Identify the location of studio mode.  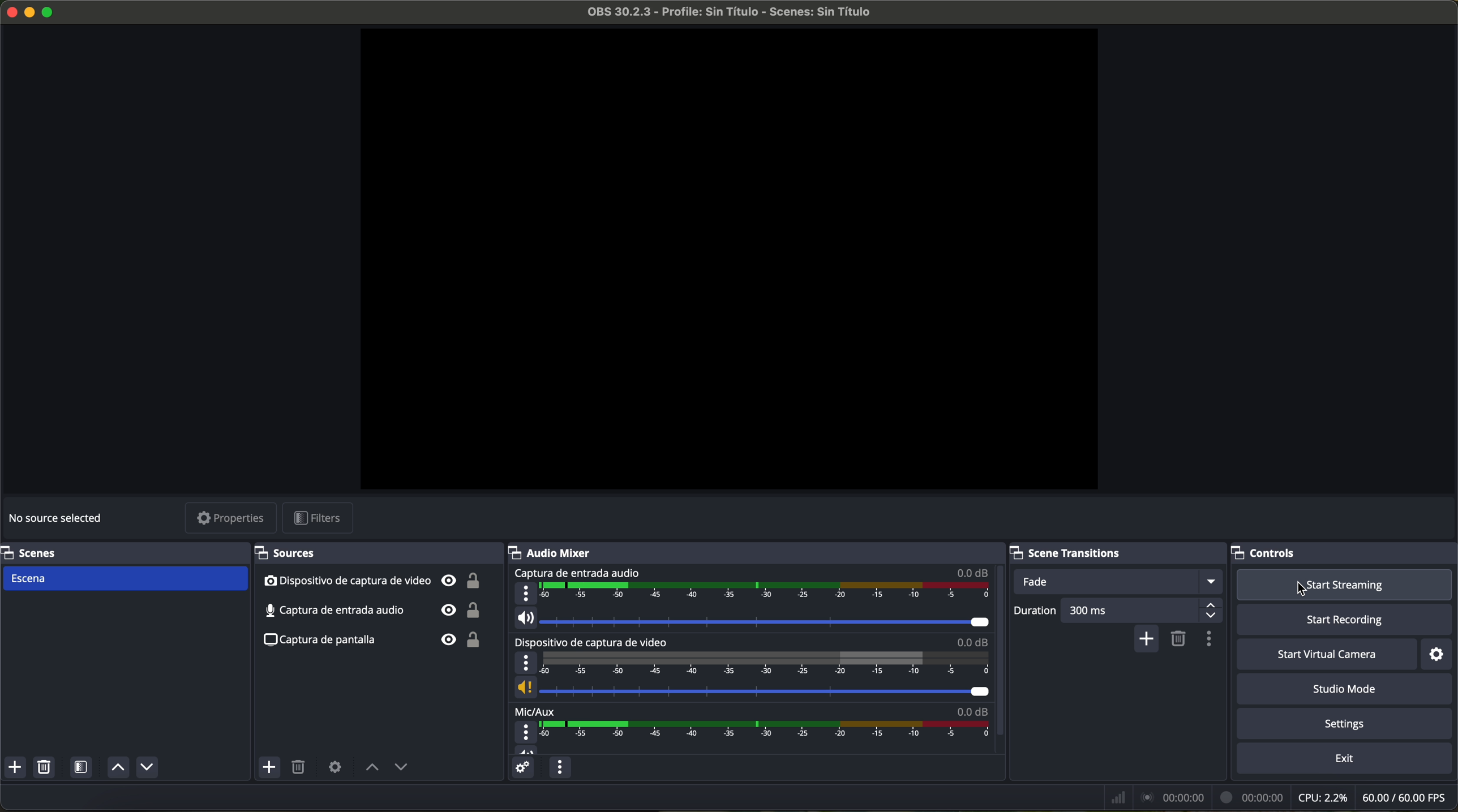
(1349, 690).